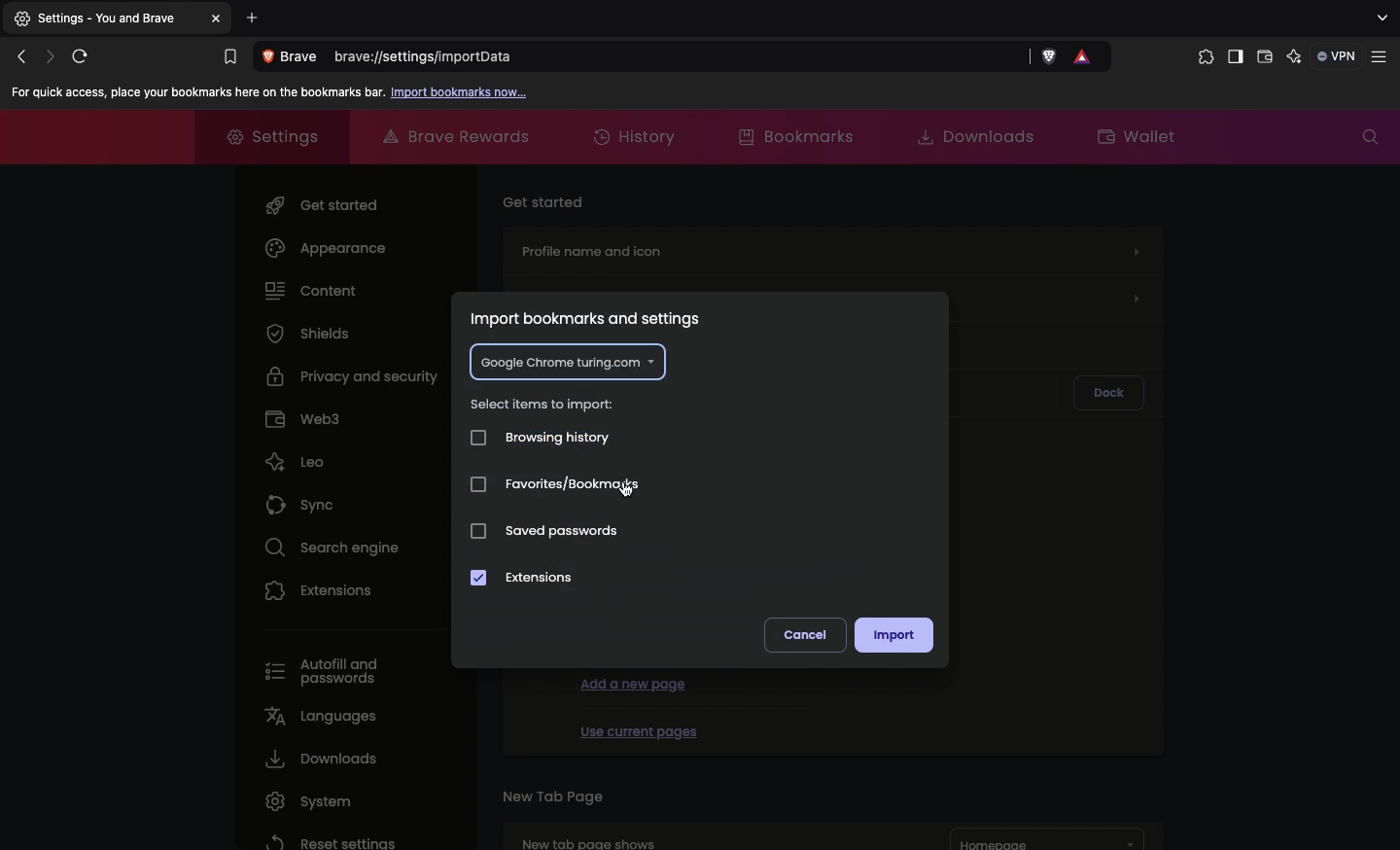 This screenshot has width=1400, height=850. Describe the element at coordinates (308, 333) in the screenshot. I see `Shields` at that location.